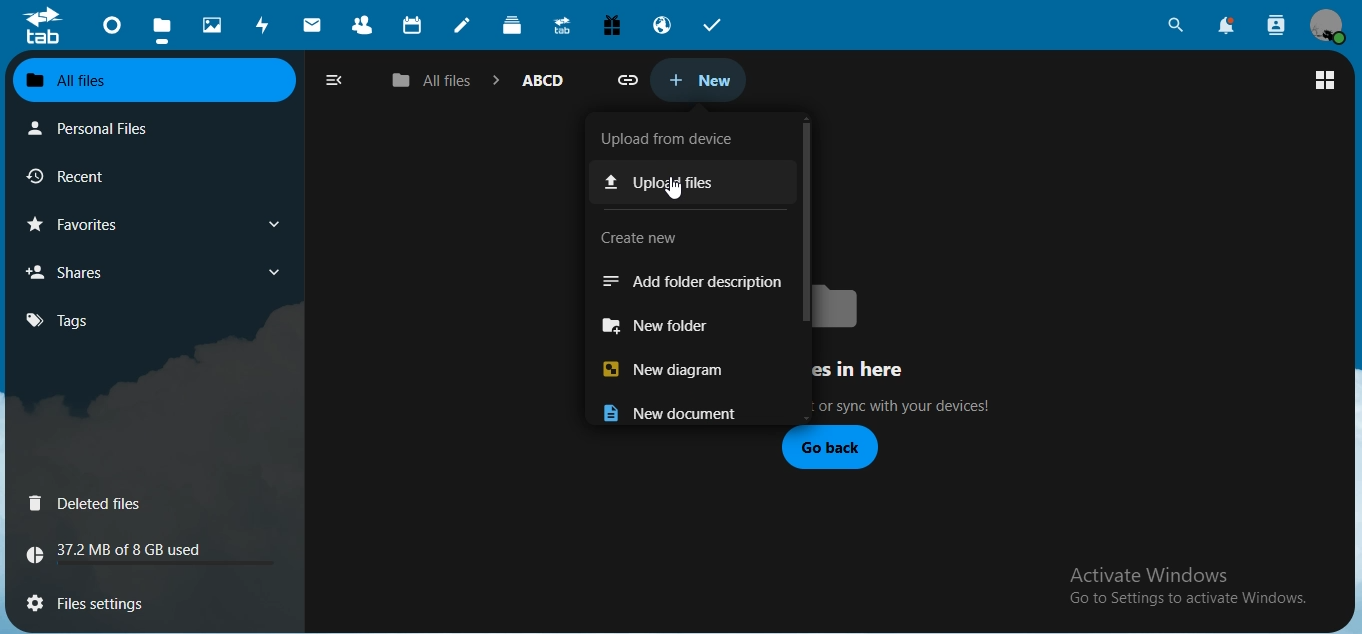 The width and height of the screenshot is (1362, 634). Describe the element at coordinates (117, 600) in the screenshot. I see `files settings` at that location.